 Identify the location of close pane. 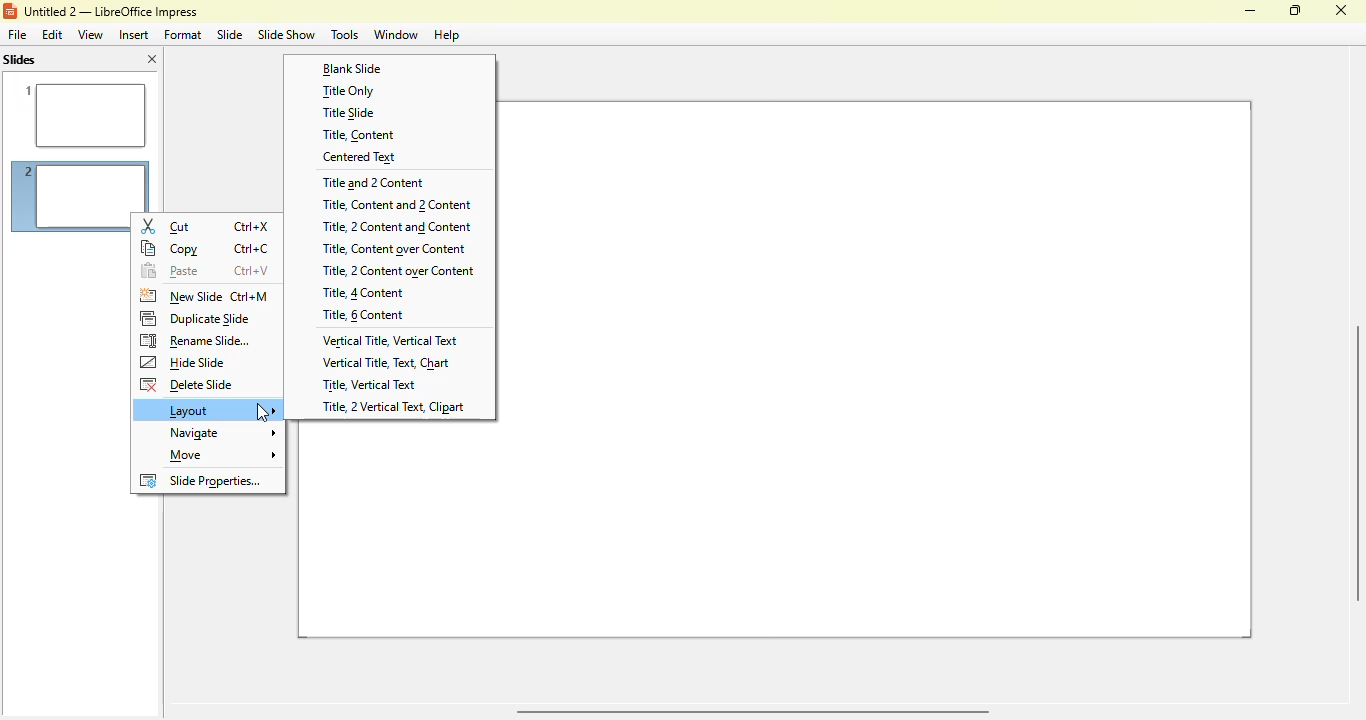
(152, 59).